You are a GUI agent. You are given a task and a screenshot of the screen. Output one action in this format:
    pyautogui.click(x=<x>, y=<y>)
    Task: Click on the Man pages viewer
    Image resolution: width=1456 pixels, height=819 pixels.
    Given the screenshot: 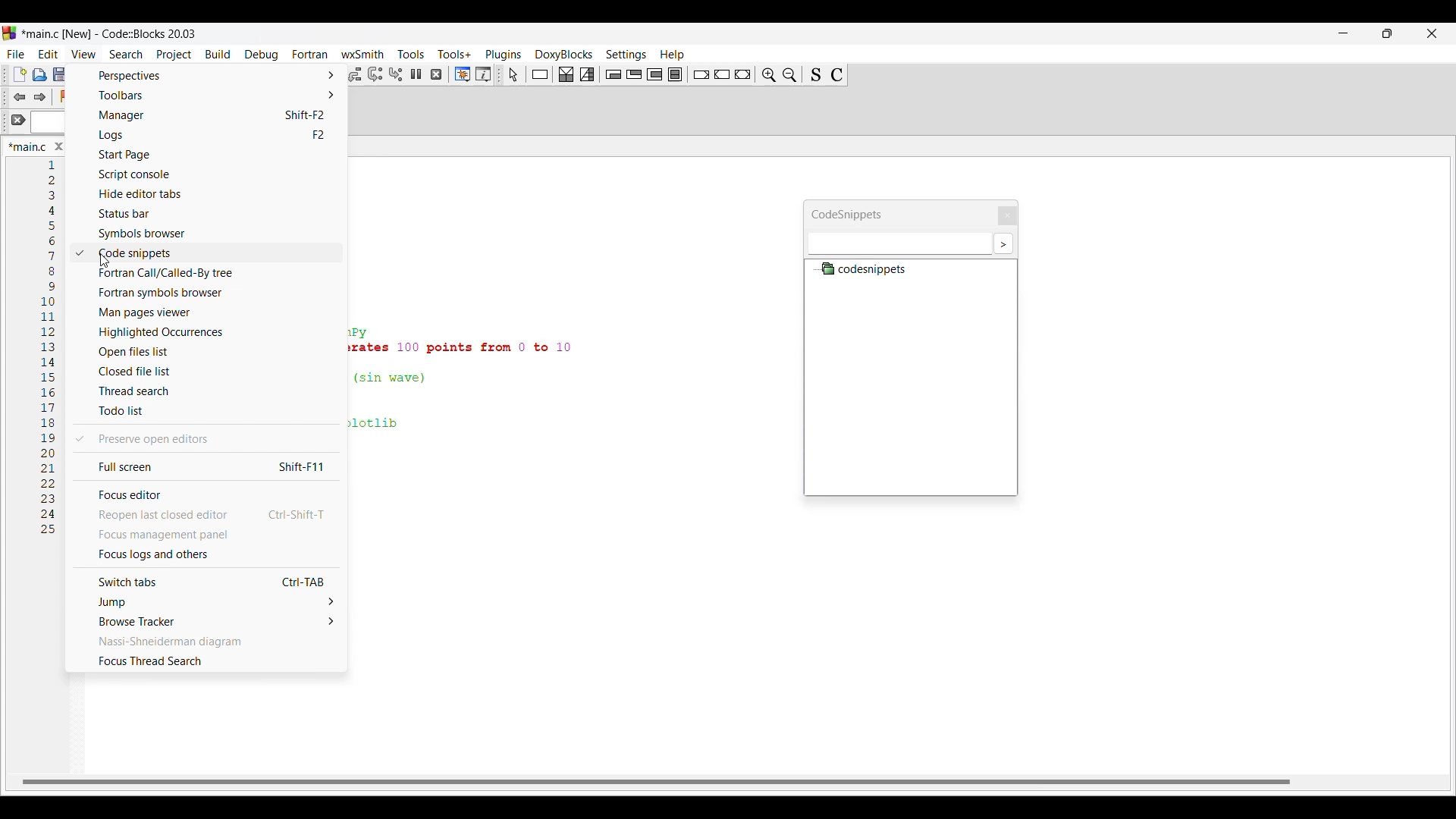 What is the action you would take?
    pyautogui.click(x=215, y=313)
    